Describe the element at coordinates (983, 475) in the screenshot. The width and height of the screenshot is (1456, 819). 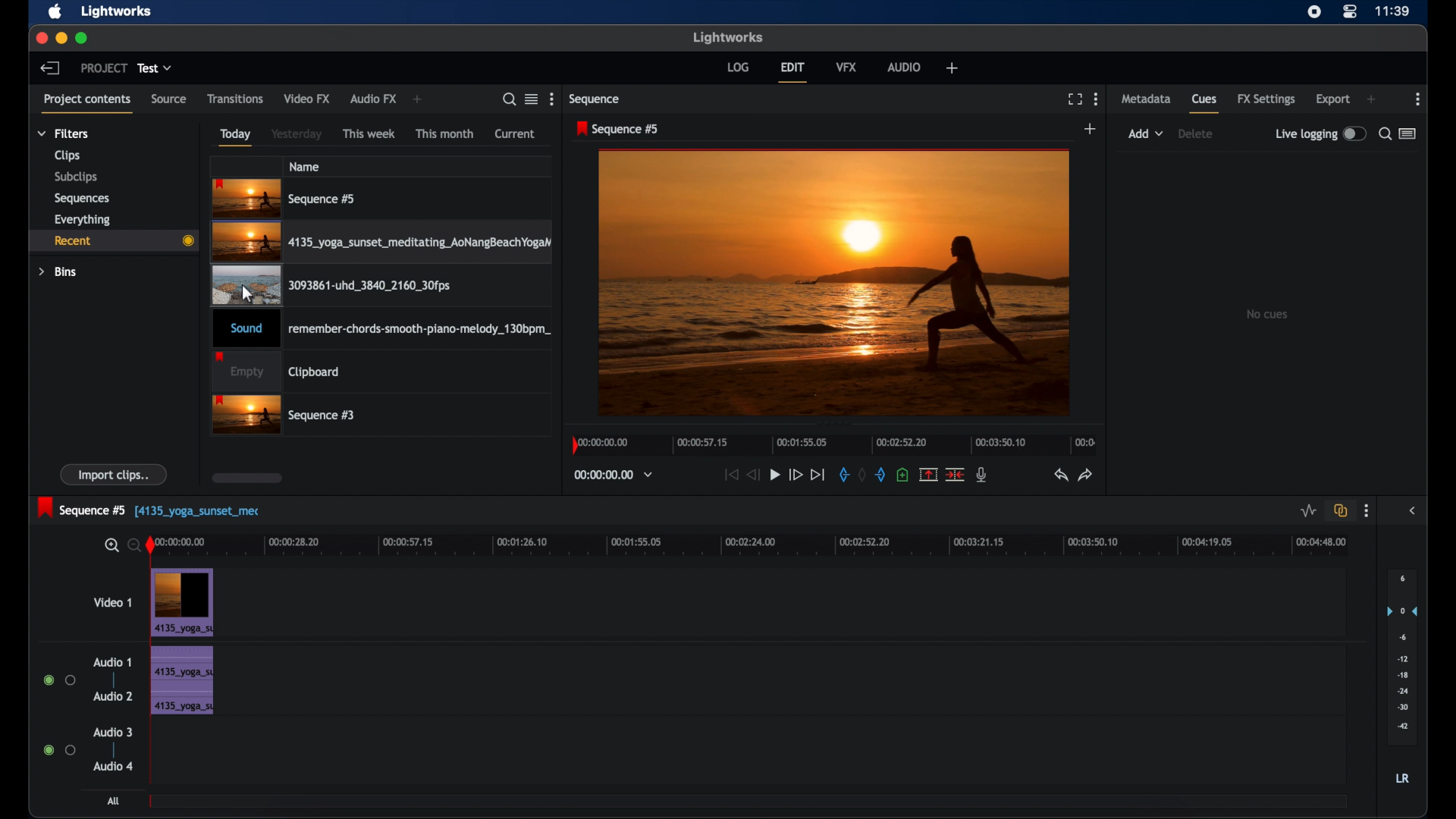
I see `mic` at that location.